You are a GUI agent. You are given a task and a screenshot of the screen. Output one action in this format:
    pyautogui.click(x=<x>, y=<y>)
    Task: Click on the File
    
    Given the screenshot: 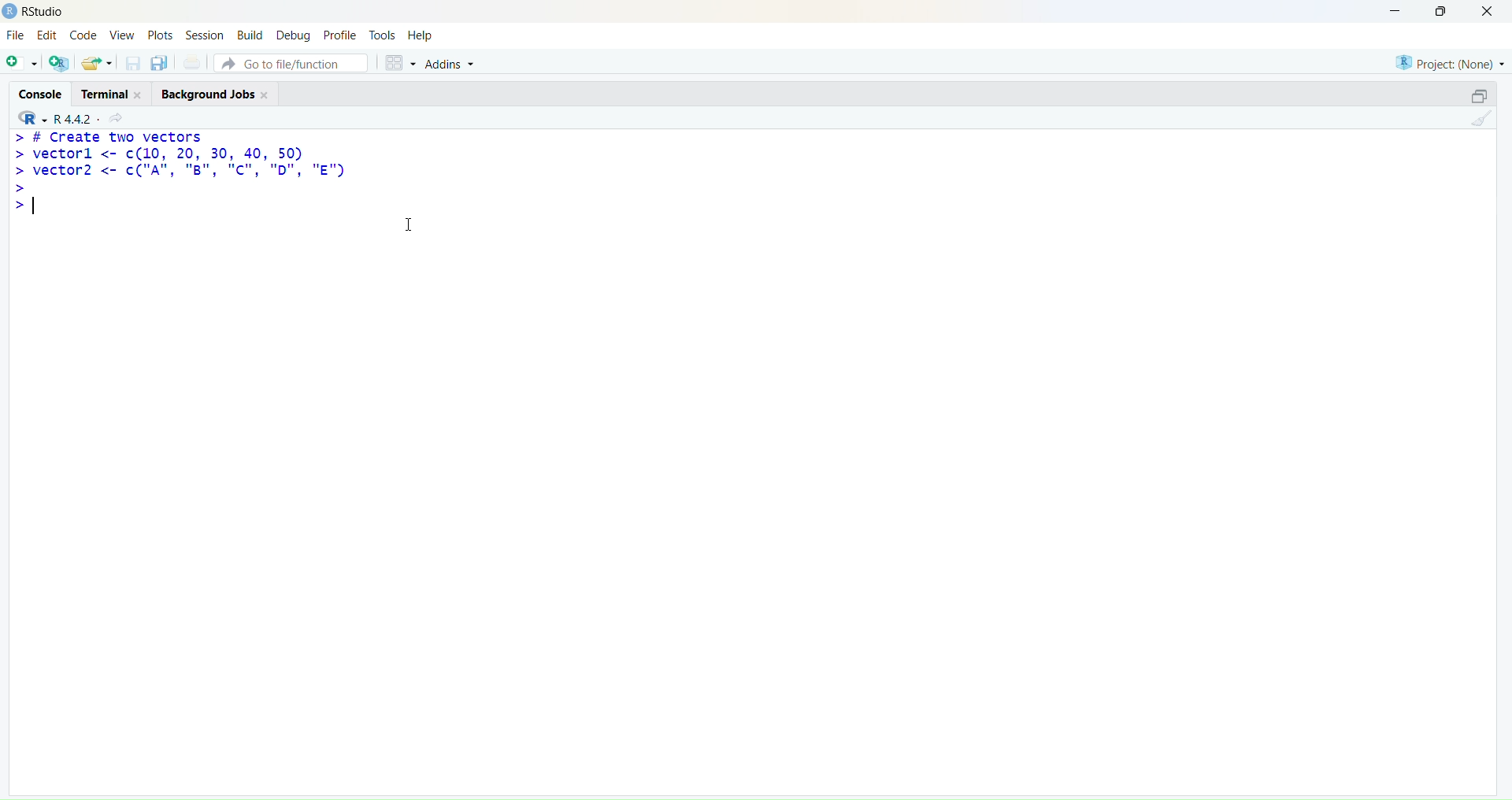 What is the action you would take?
    pyautogui.click(x=17, y=35)
    